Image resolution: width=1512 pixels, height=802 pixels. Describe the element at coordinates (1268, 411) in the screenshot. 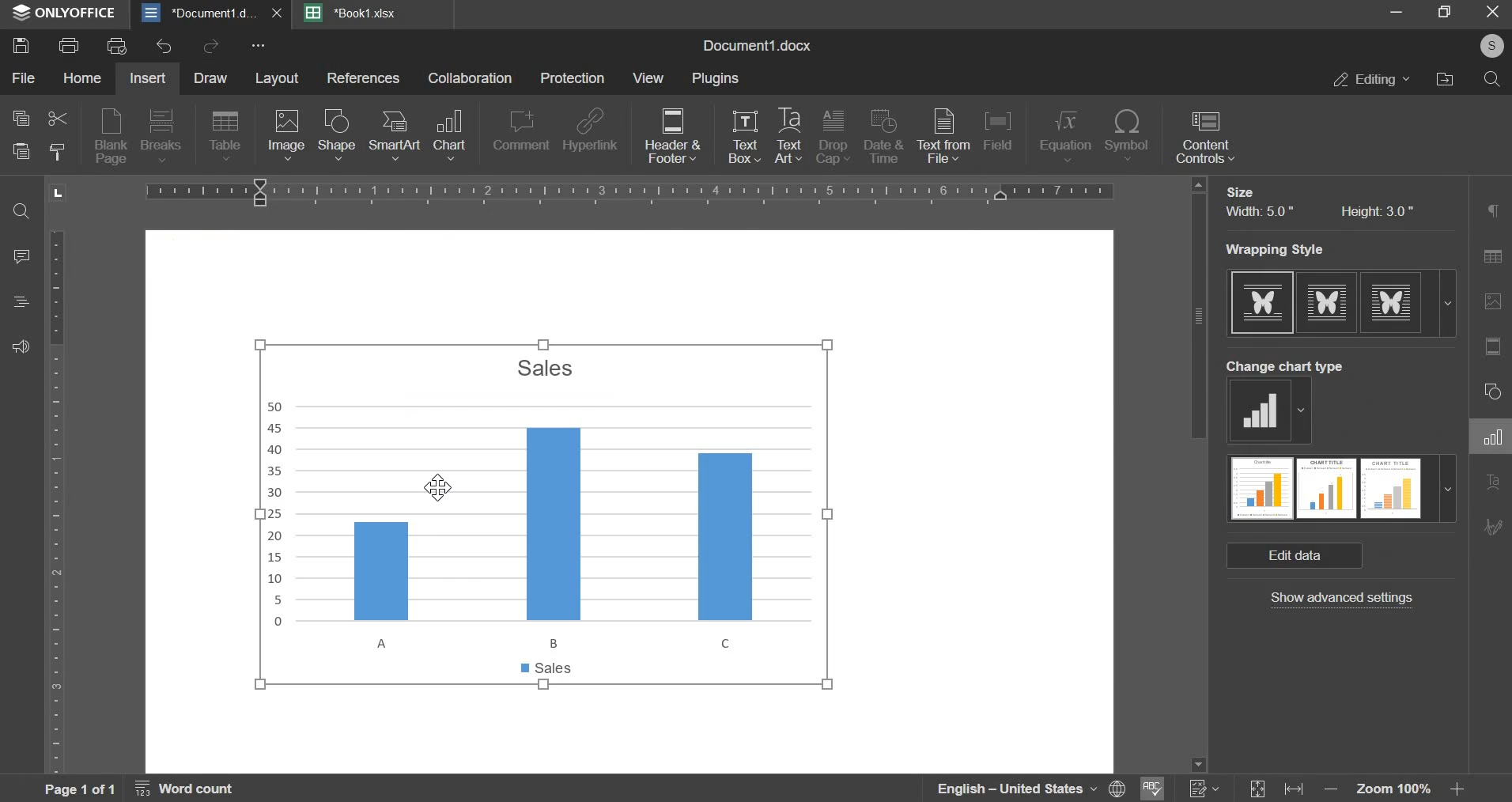

I see `change chart type` at that location.